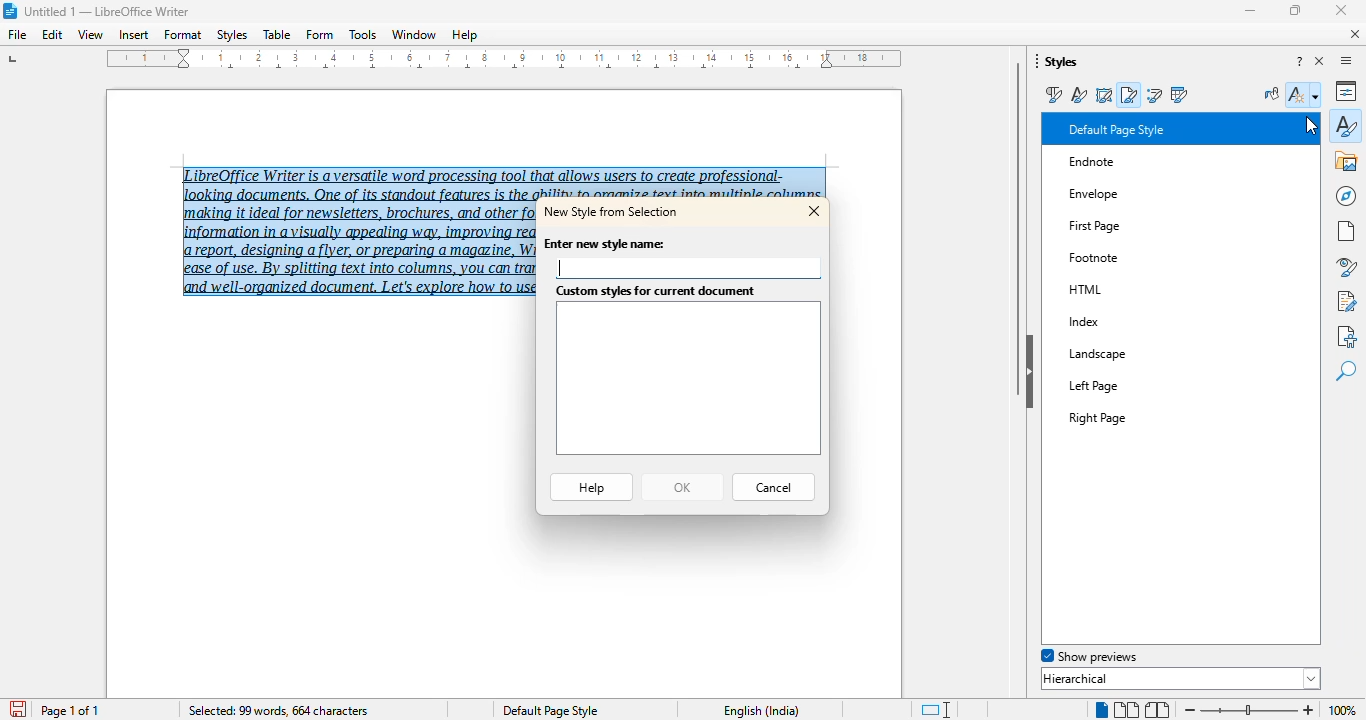 The height and width of the screenshot is (720, 1366). I want to click on  LibreOffice Writer is a versatile word processing tool that allows users to create professional-‘making it ideal for newsletters, brochures, and other formatted content, Columns help structure report, designing a flyer, or preparing a magazine, Writer's column feature offers flexibility and ease of use. By splitting text into columns, you can transform a plain block of text into an elegant and well-organized document. Let's explore how to use this feature! (text selected), so click(352, 225).